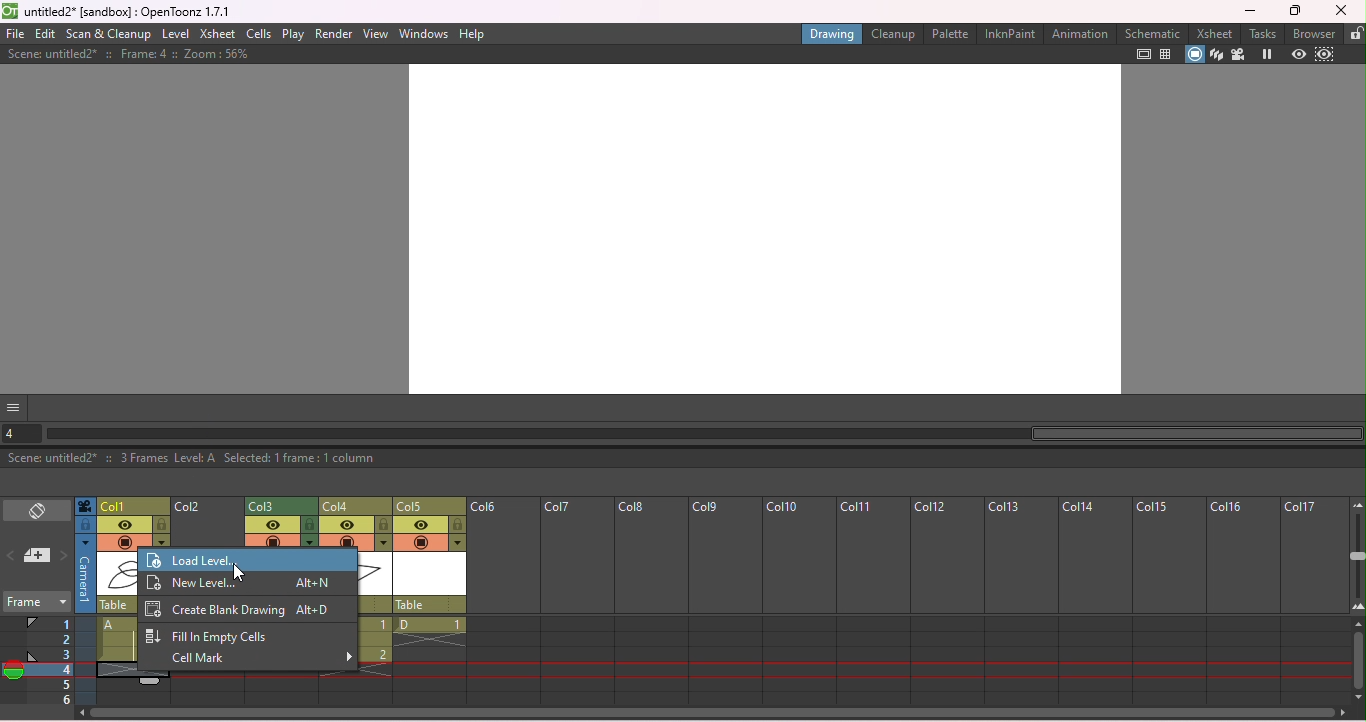 Image resolution: width=1366 pixels, height=722 pixels. Describe the element at coordinates (1196, 55) in the screenshot. I see `Camera stand view` at that location.